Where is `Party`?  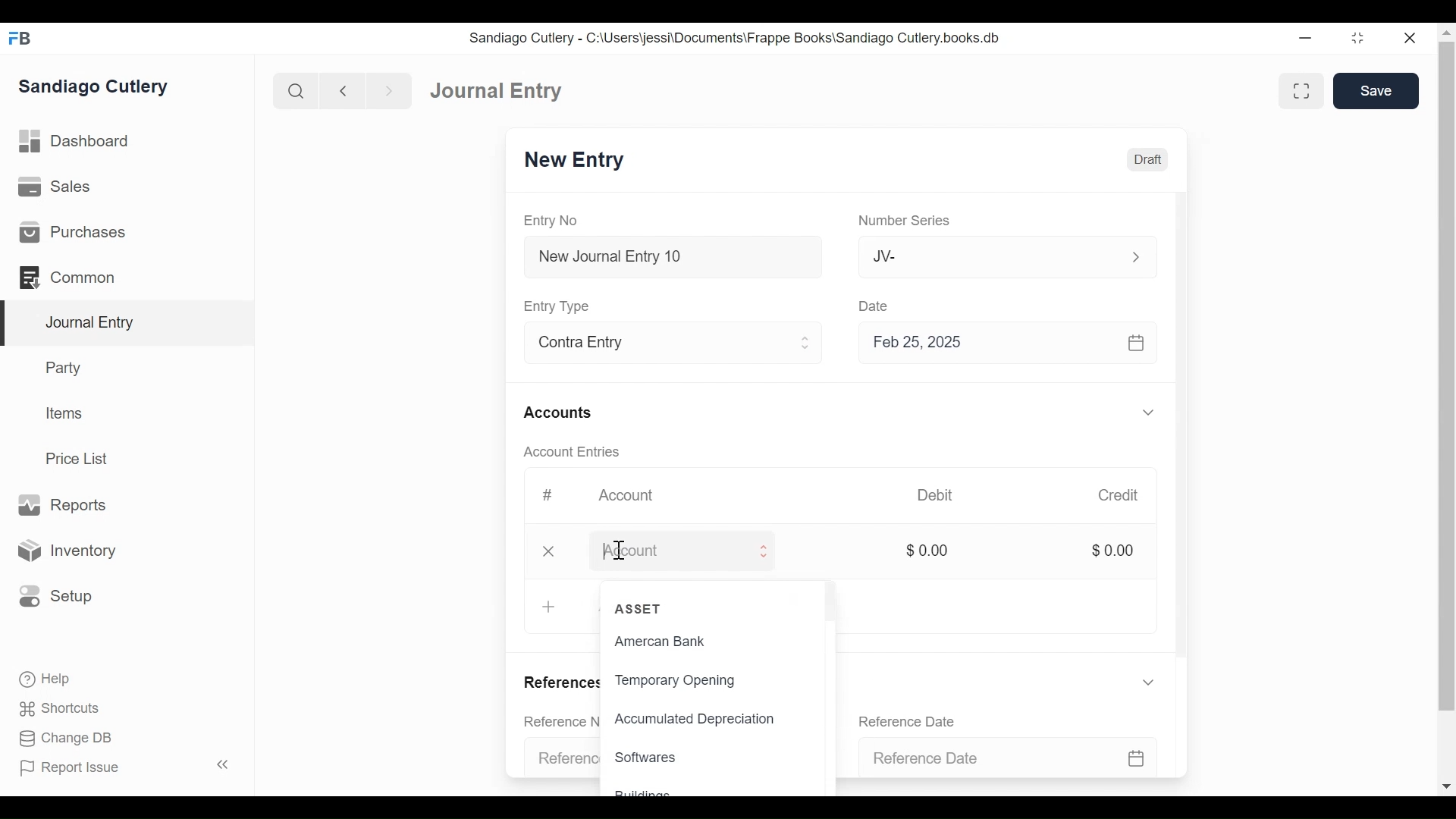 Party is located at coordinates (61, 368).